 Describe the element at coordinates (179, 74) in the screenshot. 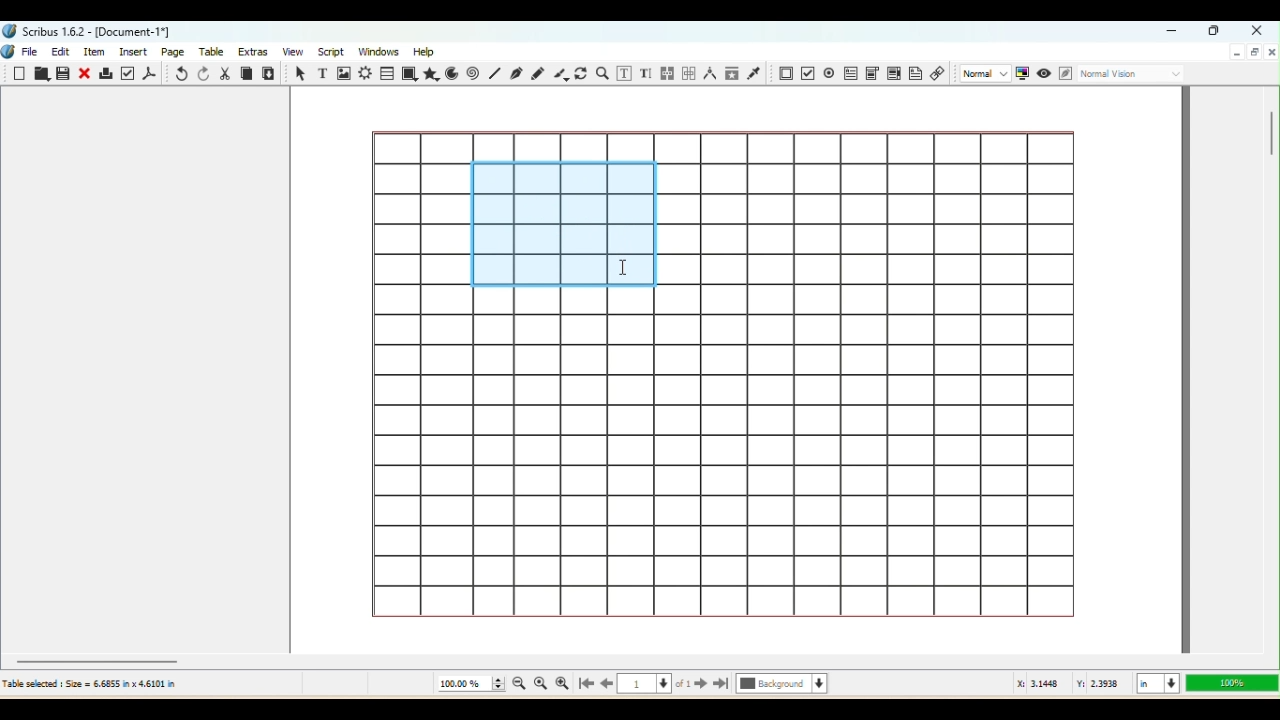

I see `Undo` at that location.